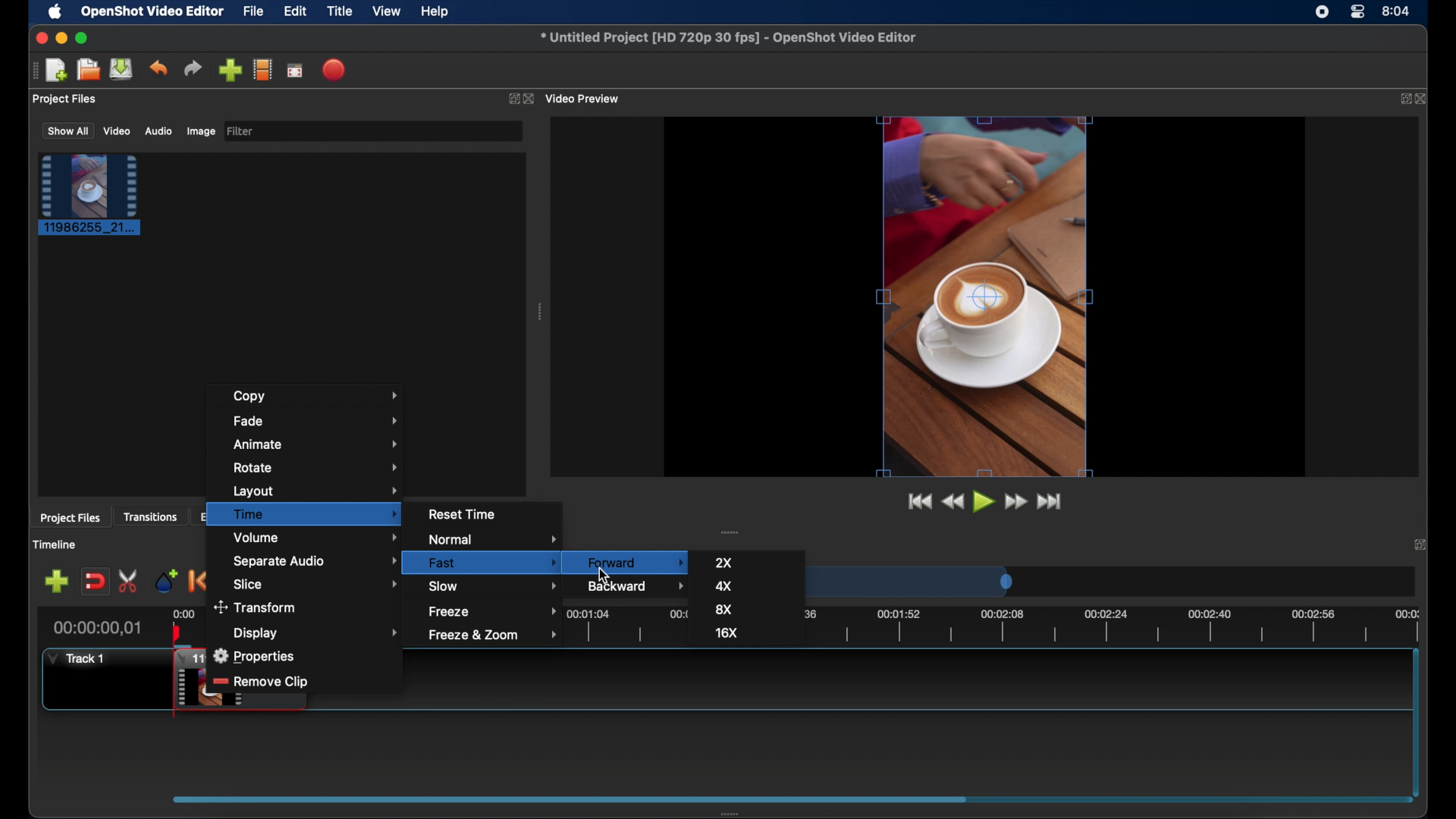 This screenshot has height=819, width=1456. I want to click on cursor, so click(599, 576).